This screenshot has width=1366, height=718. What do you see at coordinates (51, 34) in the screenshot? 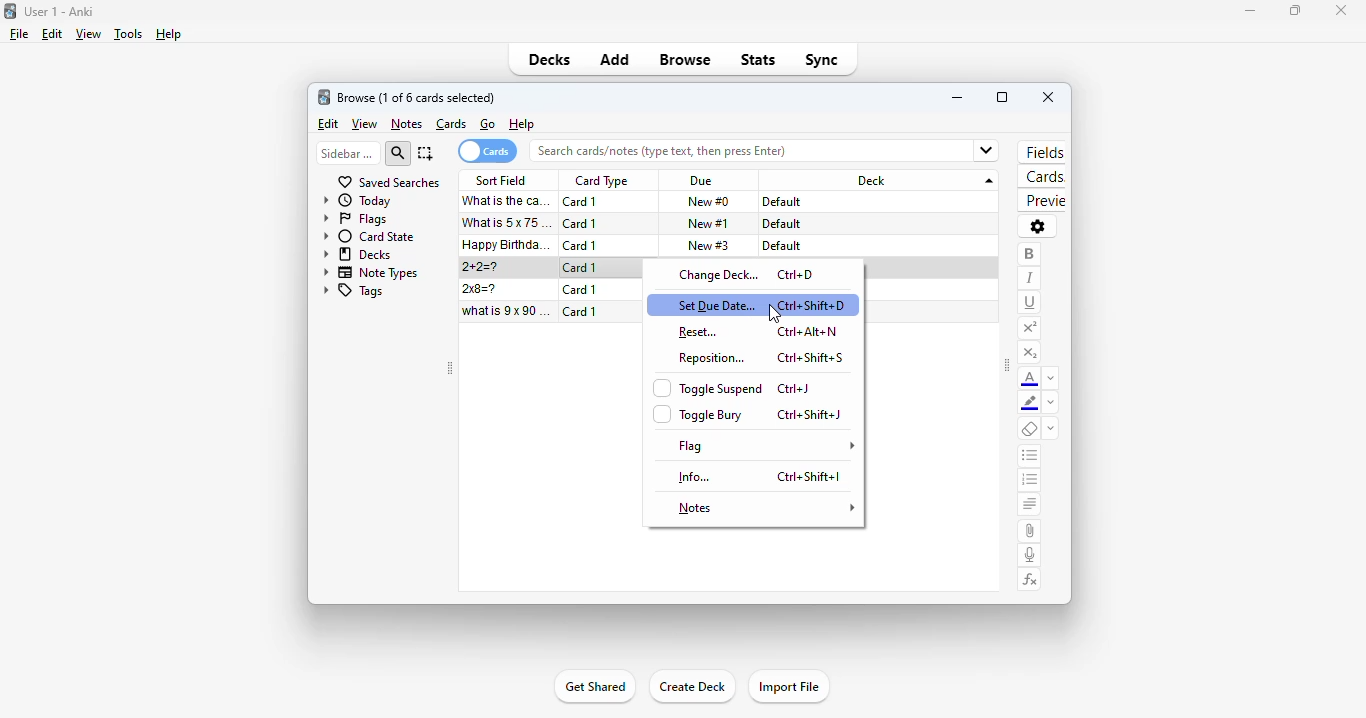
I see `edit` at bounding box center [51, 34].